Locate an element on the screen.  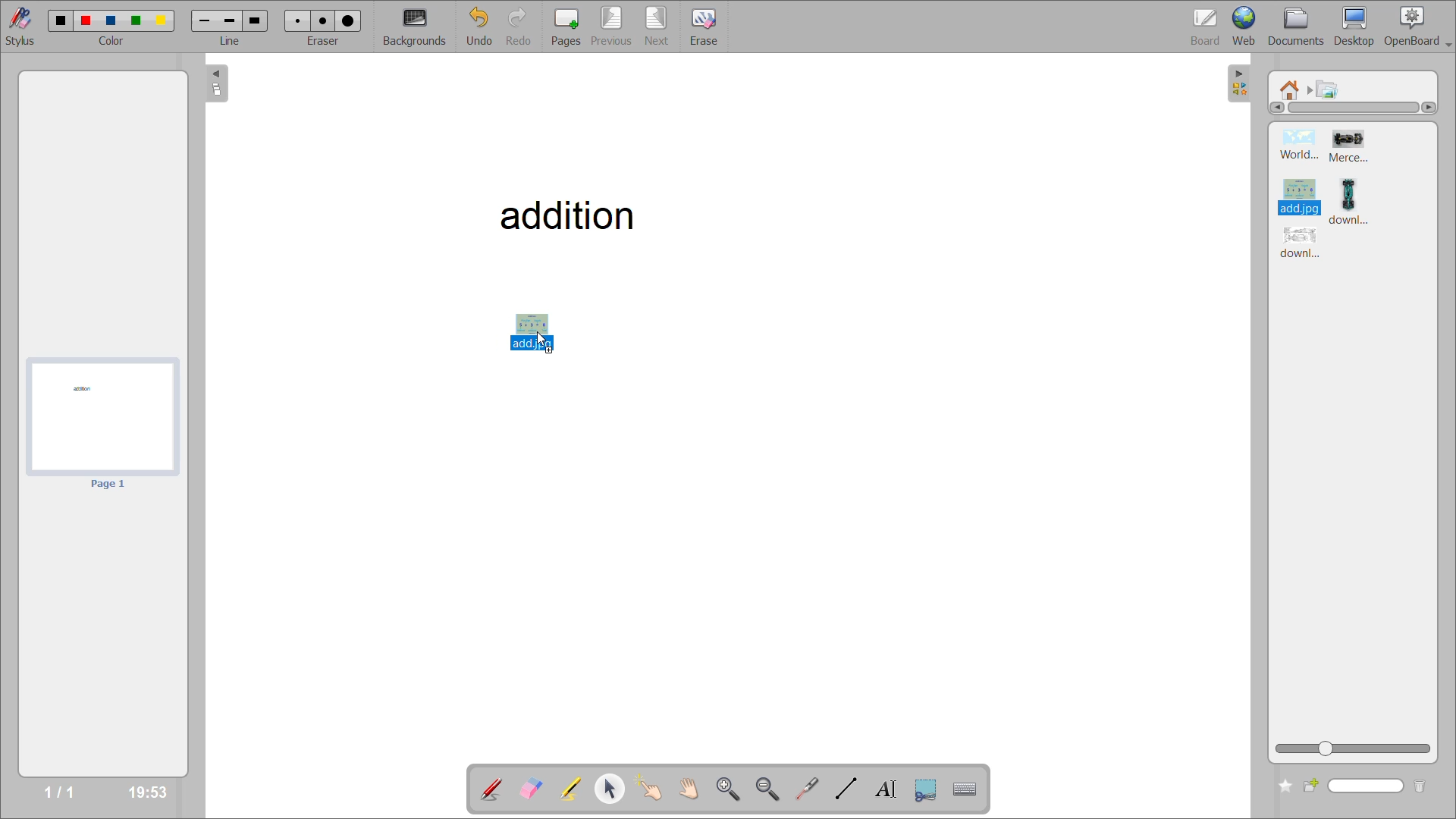
line 1 is located at coordinates (205, 21).